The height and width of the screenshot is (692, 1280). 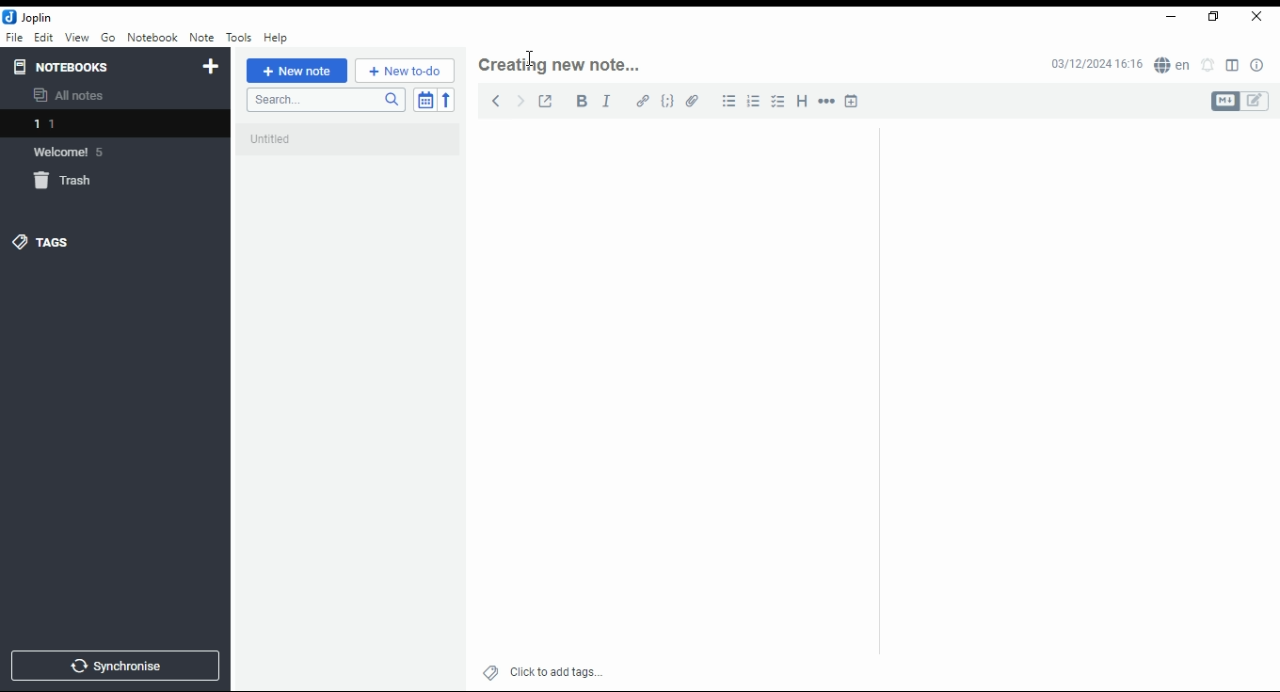 What do you see at coordinates (14, 36) in the screenshot?
I see `file` at bounding box center [14, 36].